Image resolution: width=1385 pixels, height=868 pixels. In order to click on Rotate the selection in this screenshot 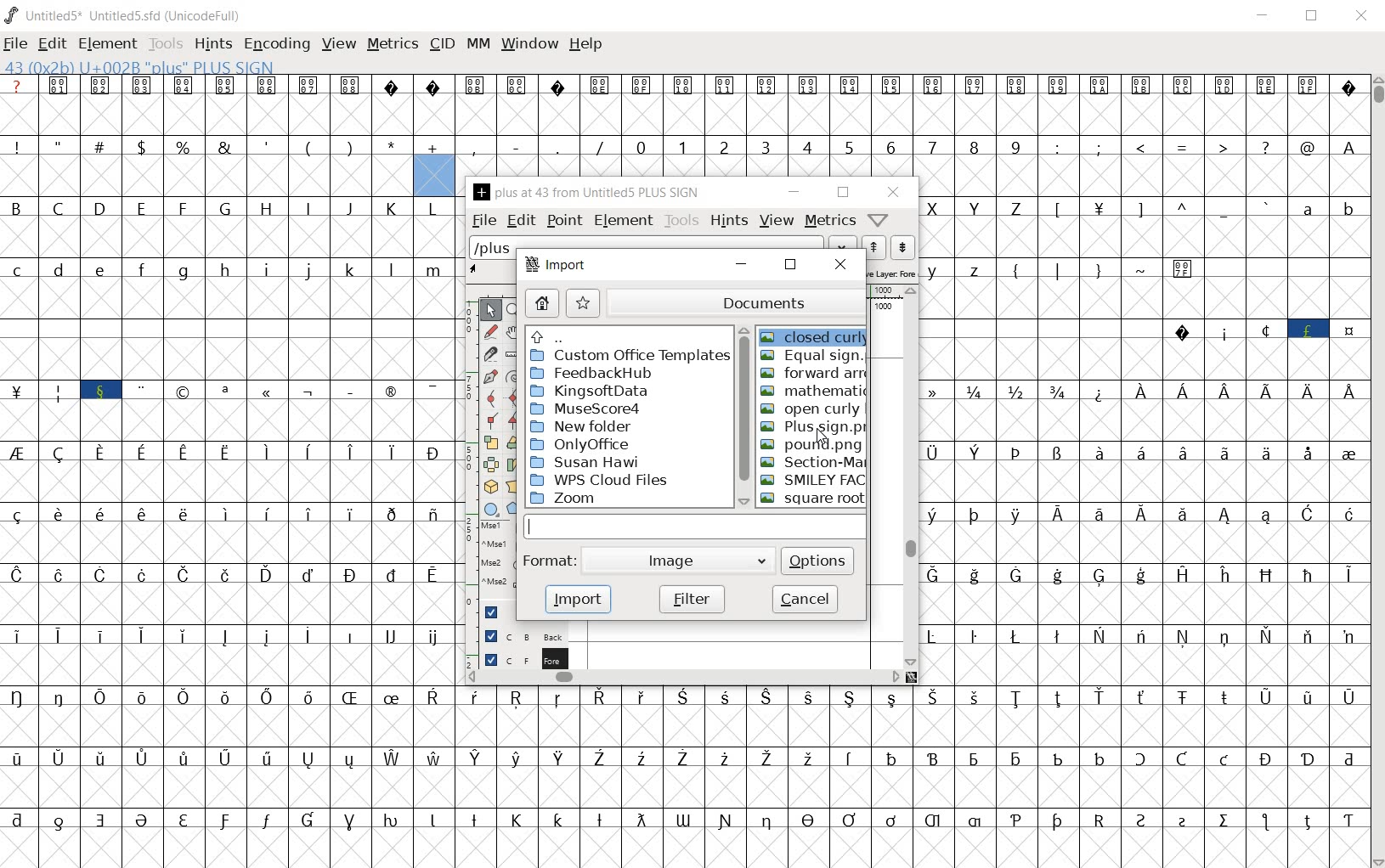, I will do `click(513, 443)`.